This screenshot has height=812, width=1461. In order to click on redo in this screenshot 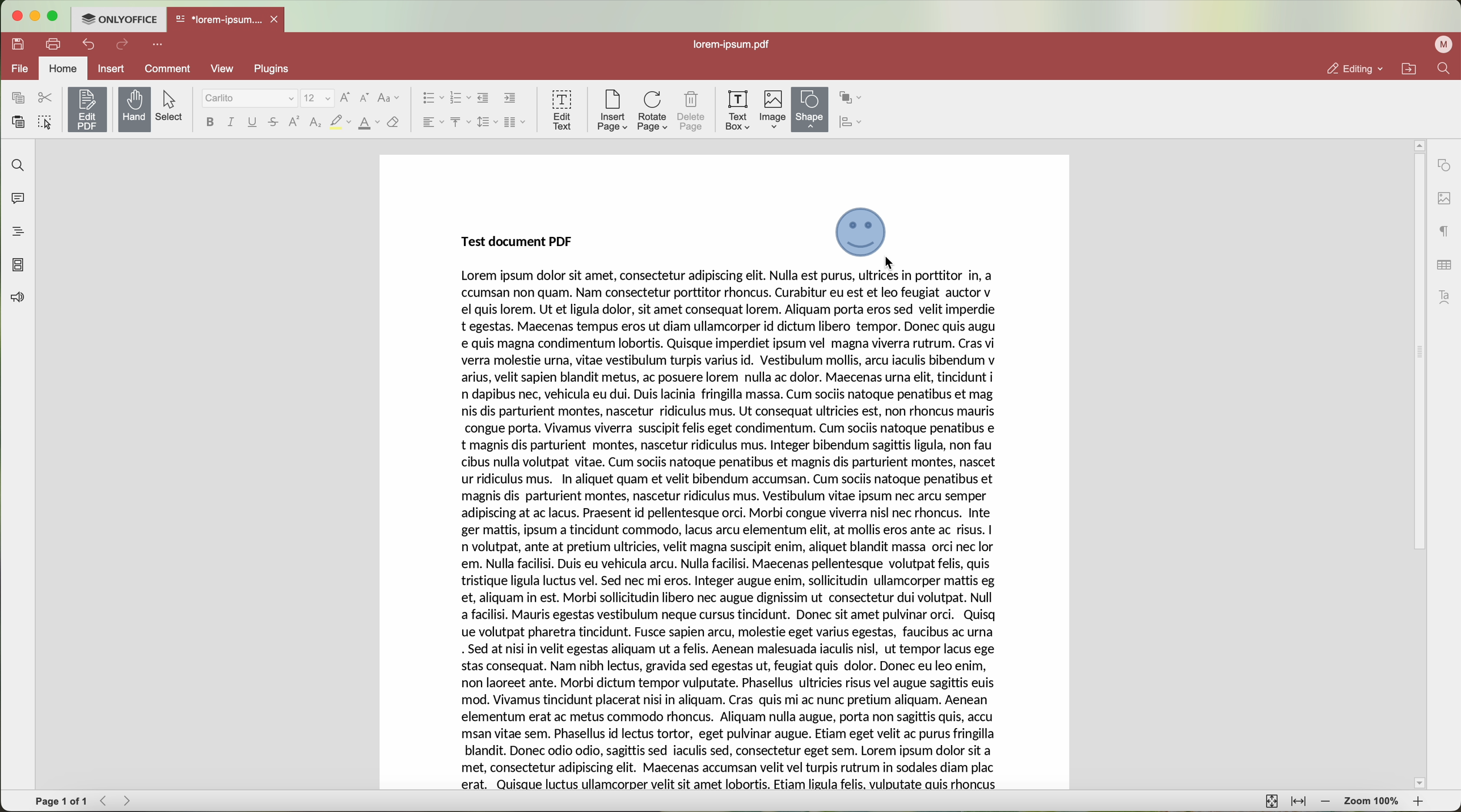, I will do `click(124, 46)`.